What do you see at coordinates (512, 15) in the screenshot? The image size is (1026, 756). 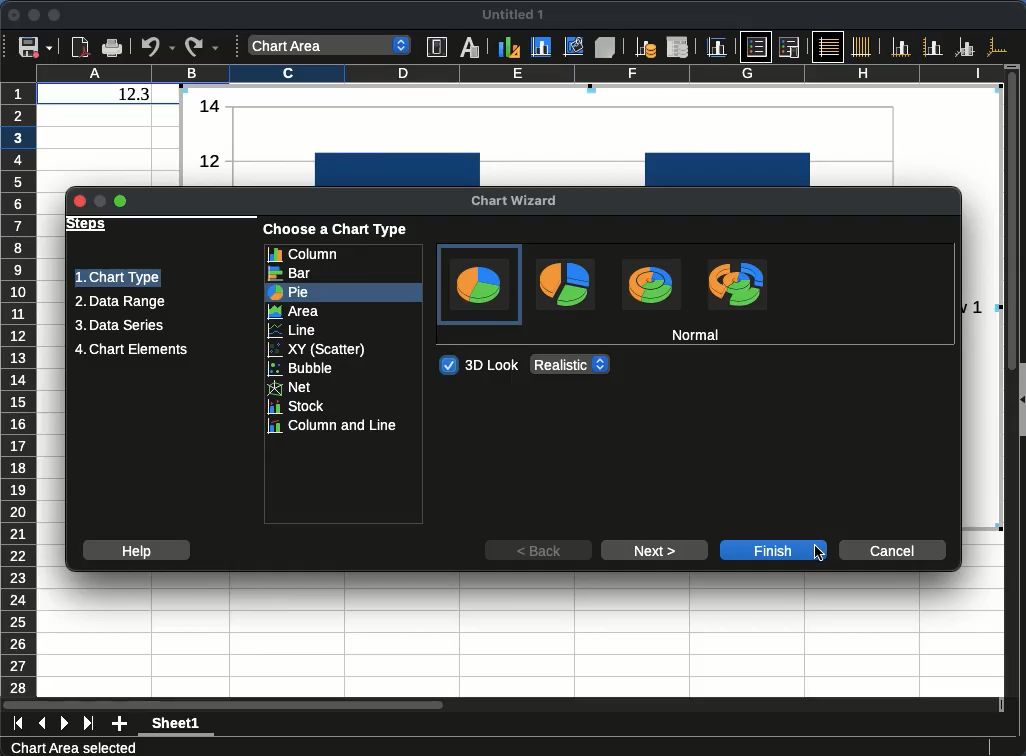 I see `untitled 1` at bounding box center [512, 15].